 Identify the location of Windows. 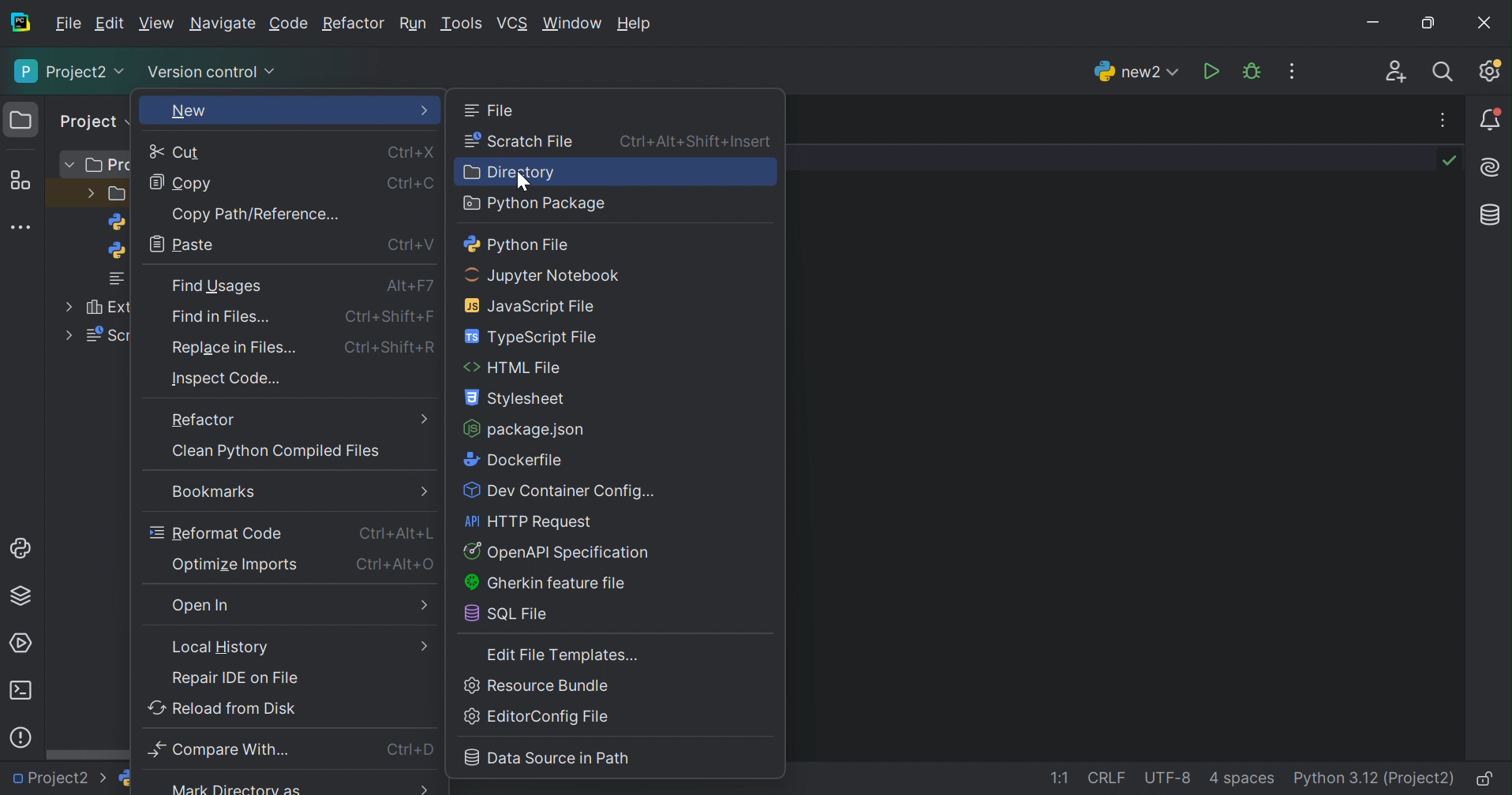
(574, 24).